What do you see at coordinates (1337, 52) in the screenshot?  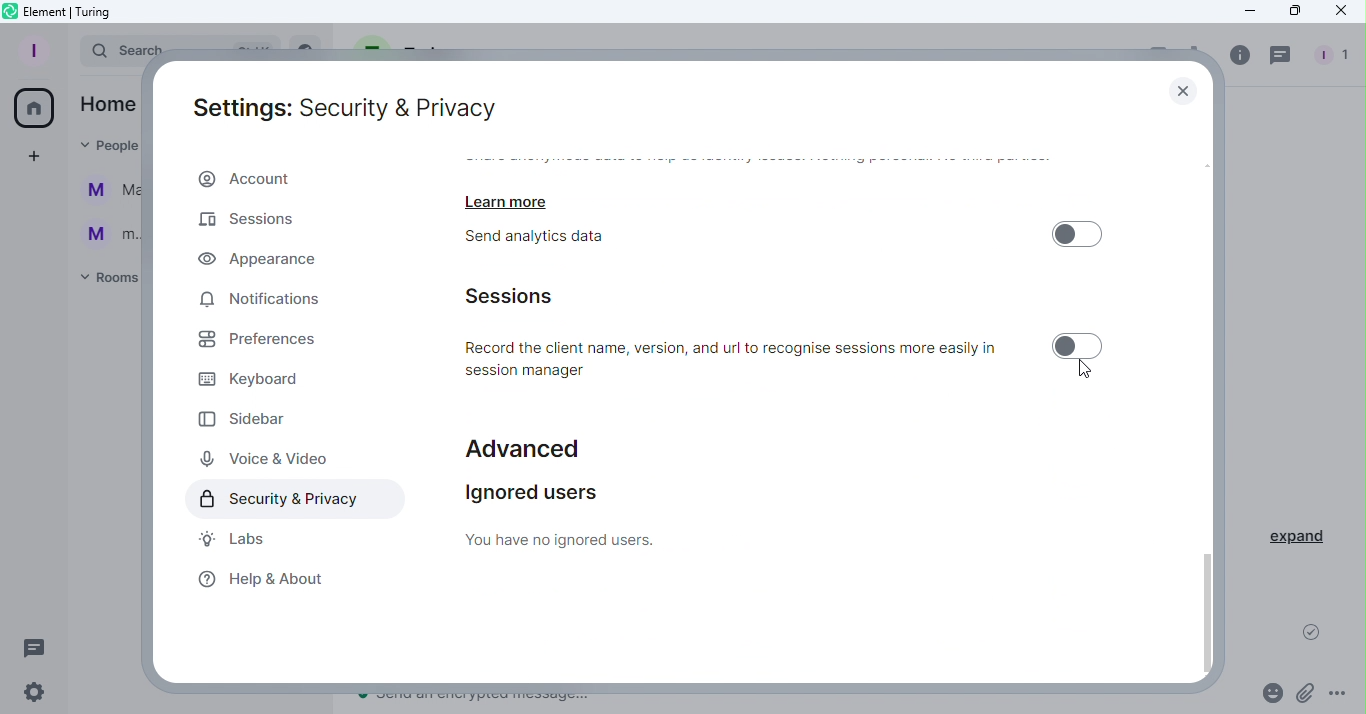 I see `People` at bounding box center [1337, 52].